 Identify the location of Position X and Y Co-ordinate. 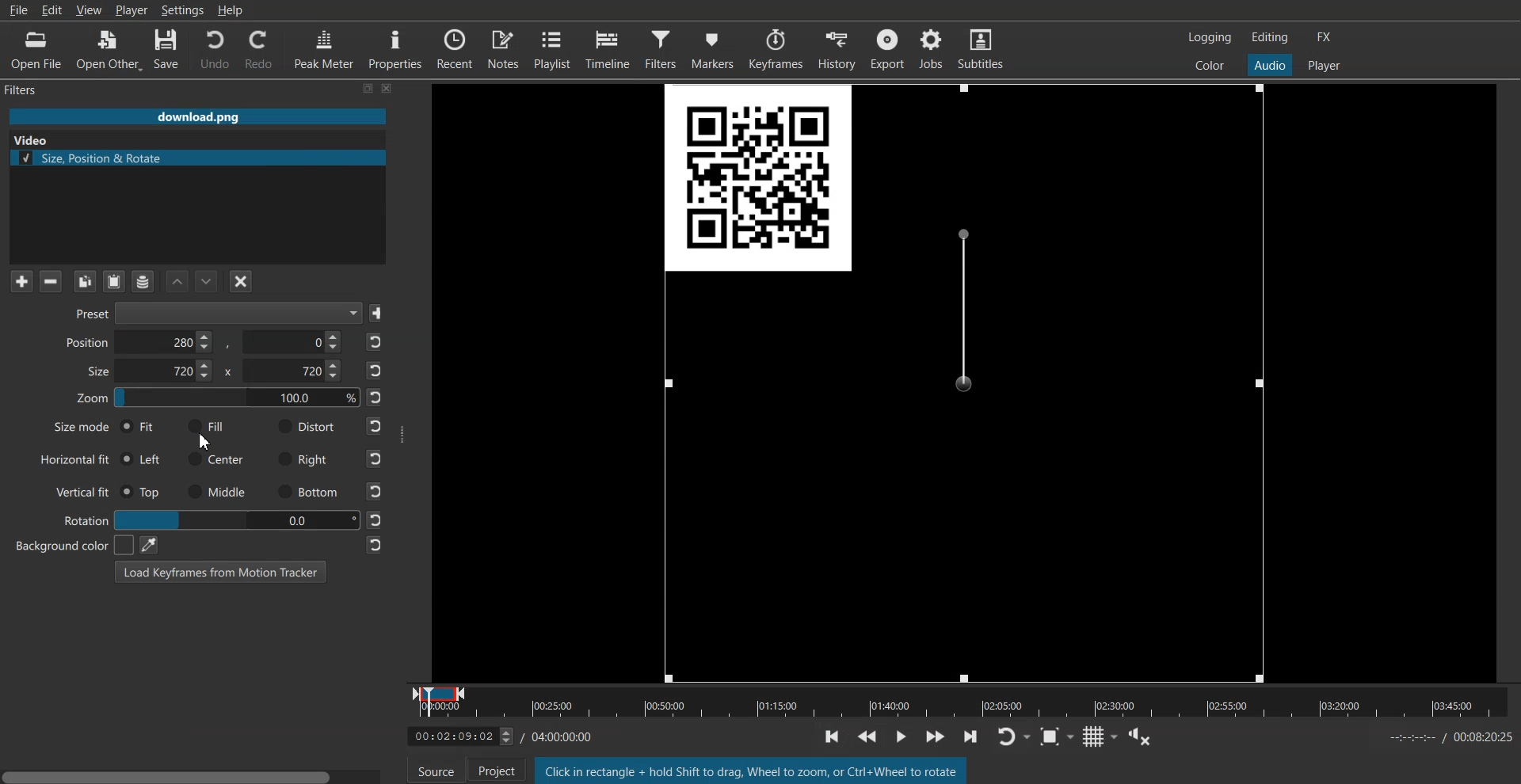
(203, 342).